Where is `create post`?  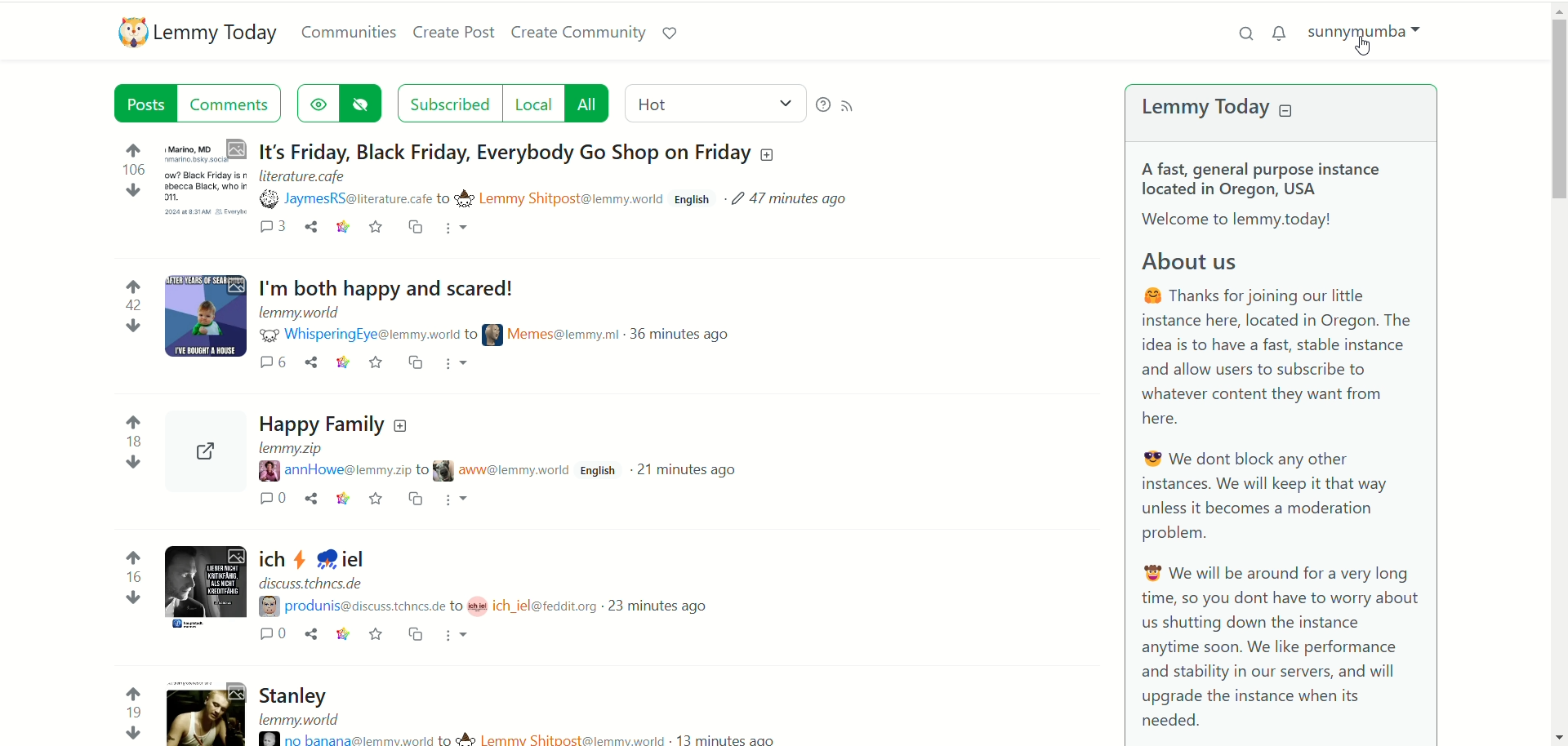
create post is located at coordinates (454, 34).